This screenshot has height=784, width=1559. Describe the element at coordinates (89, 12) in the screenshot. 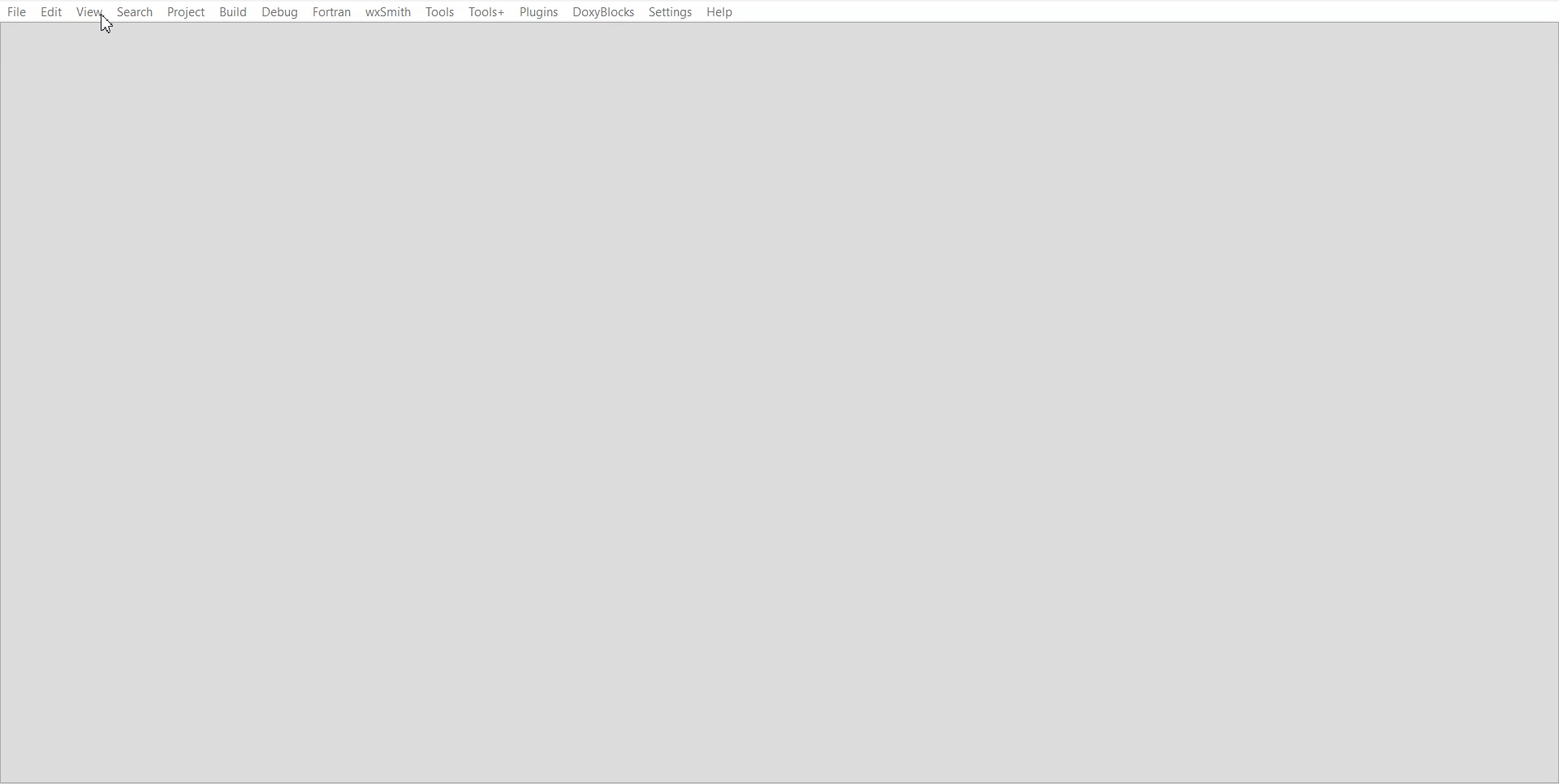

I see `View` at that location.